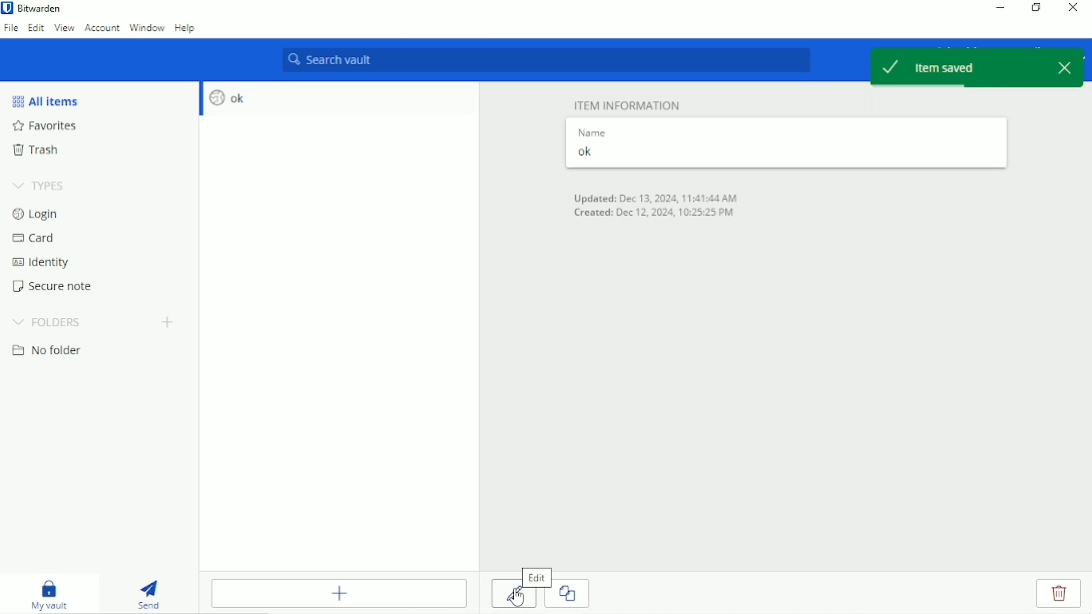 This screenshot has height=614, width=1092. Describe the element at coordinates (46, 101) in the screenshot. I see `All items` at that location.